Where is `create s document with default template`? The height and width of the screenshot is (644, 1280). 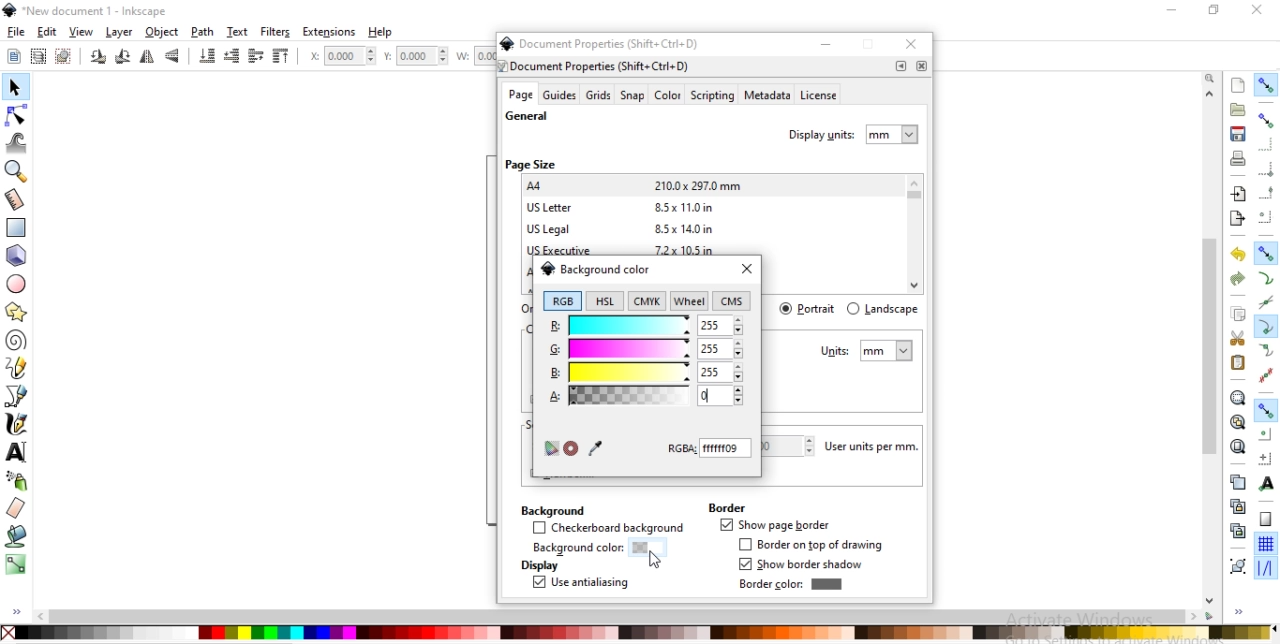
create s document with default template is located at coordinates (1239, 84).